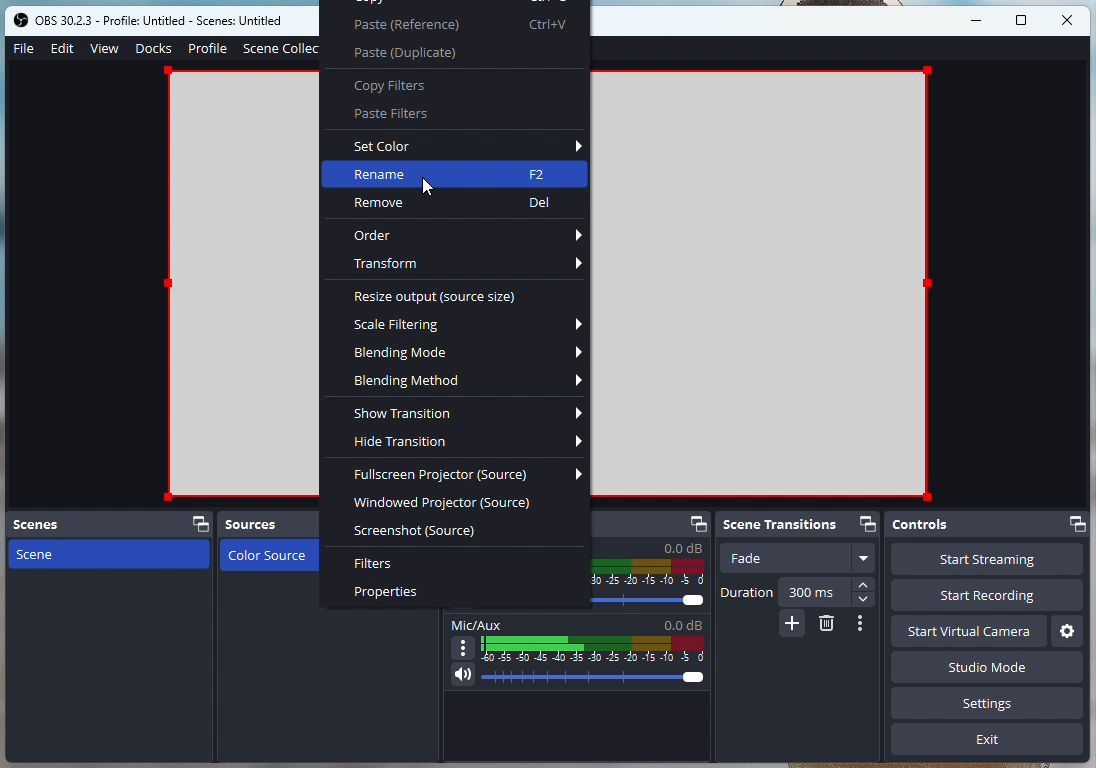 Image resolution: width=1096 pixels, height=768 pixels. What do you see at coordinates (468, 262) in the screenshot?
I see `Transform` at bounding box center [468, 262].